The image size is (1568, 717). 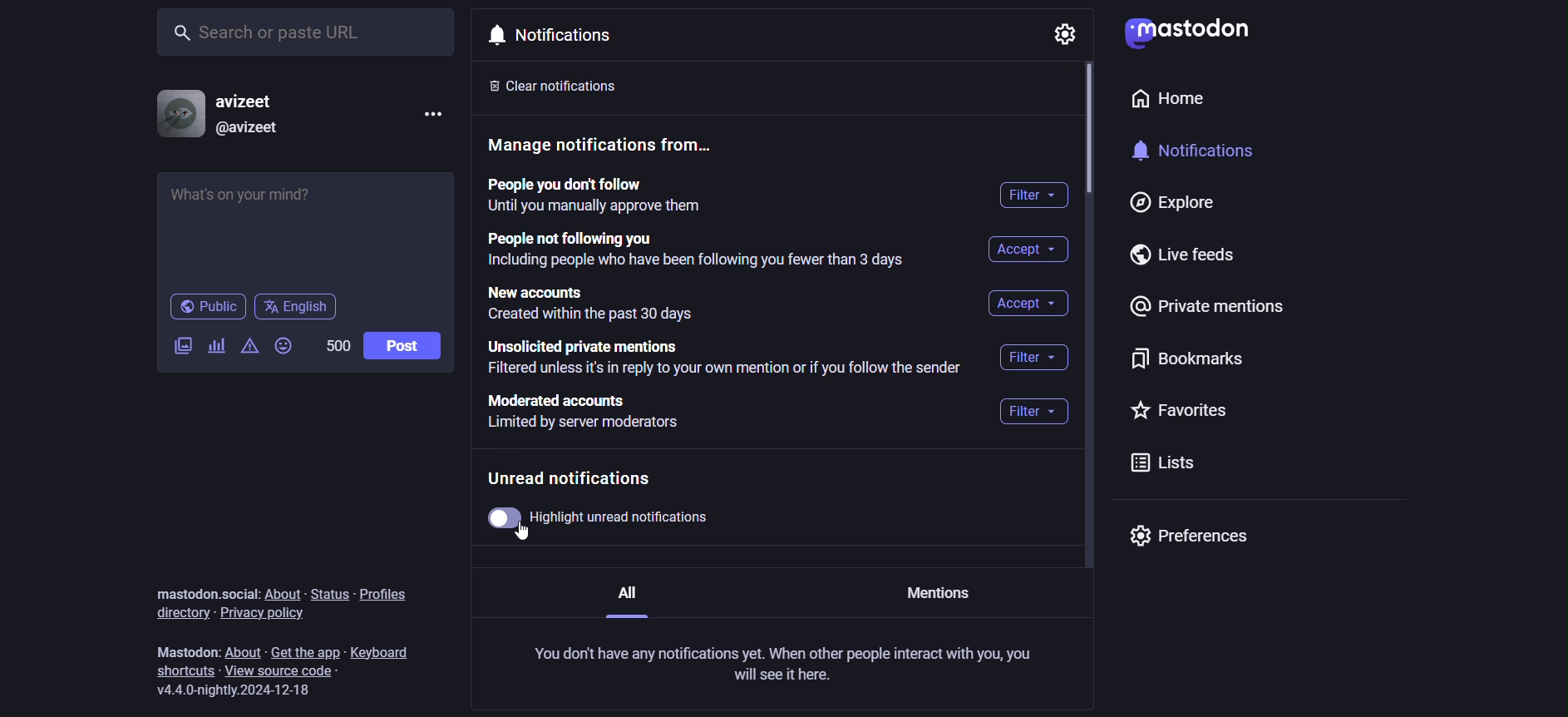 What do you see at coordinates (248, 347) in the screenshot?
I see `content warning` at bounding box center [248, 347].